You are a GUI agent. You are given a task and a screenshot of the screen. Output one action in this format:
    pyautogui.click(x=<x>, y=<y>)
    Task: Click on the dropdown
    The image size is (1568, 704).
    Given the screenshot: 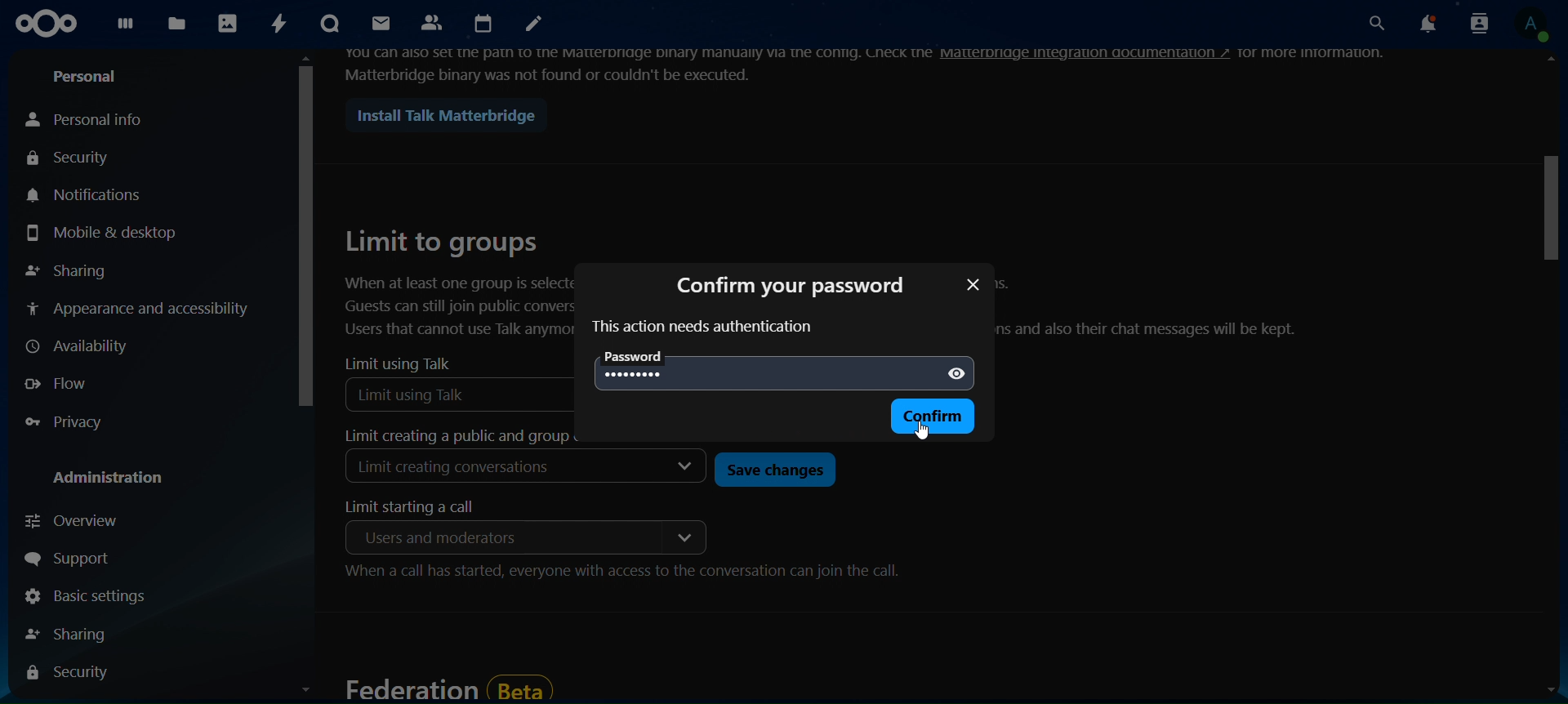 What is the action you would take?
    pyautogui.click(x=683, y=537)
    